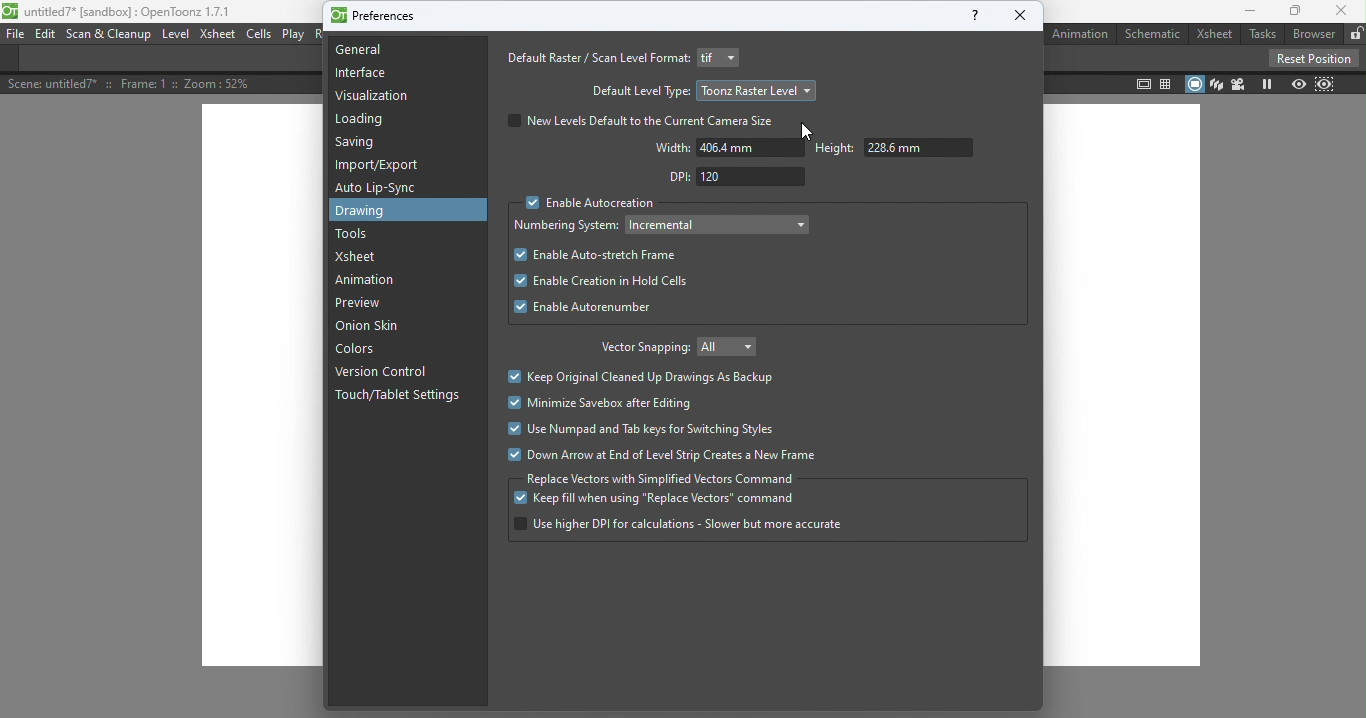 The width and height of the screenshot is (1366, 718). I want to click on Touch/tablet settings, so click(400, 400).